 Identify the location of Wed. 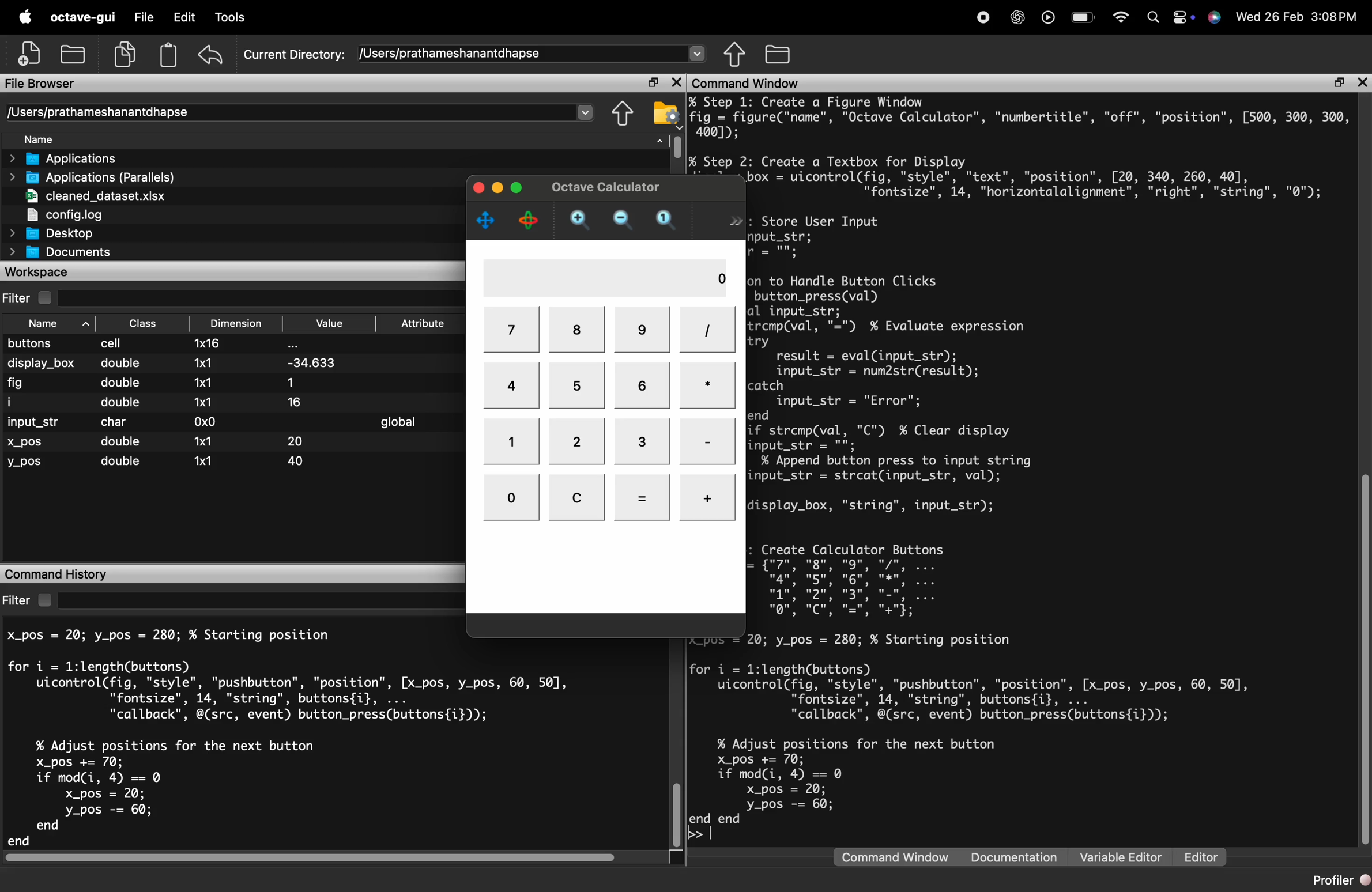
(1245, 16).